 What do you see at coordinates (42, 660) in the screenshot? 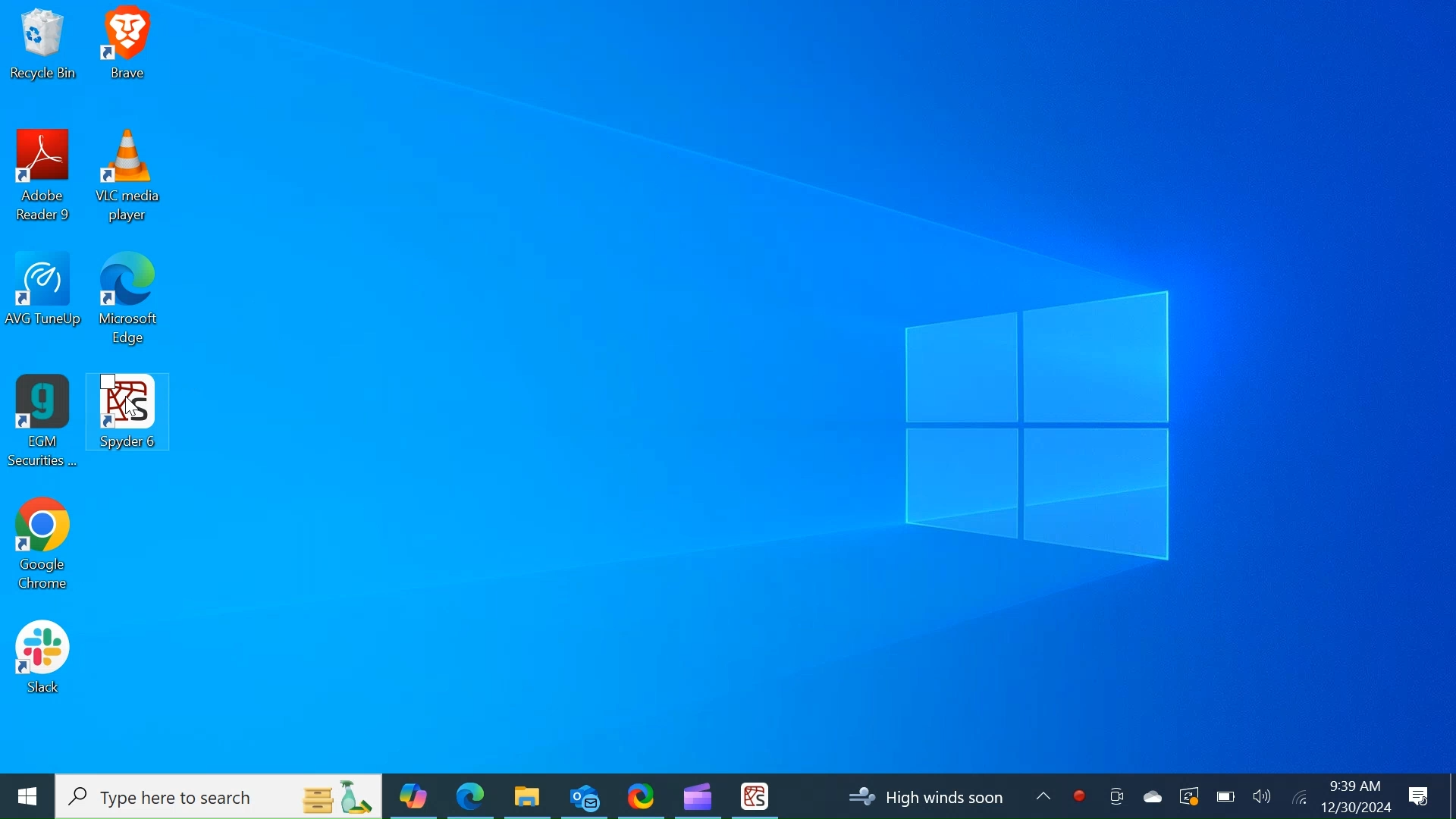
I see `Slack Desktop Icon` at bounding box center [42, 660].